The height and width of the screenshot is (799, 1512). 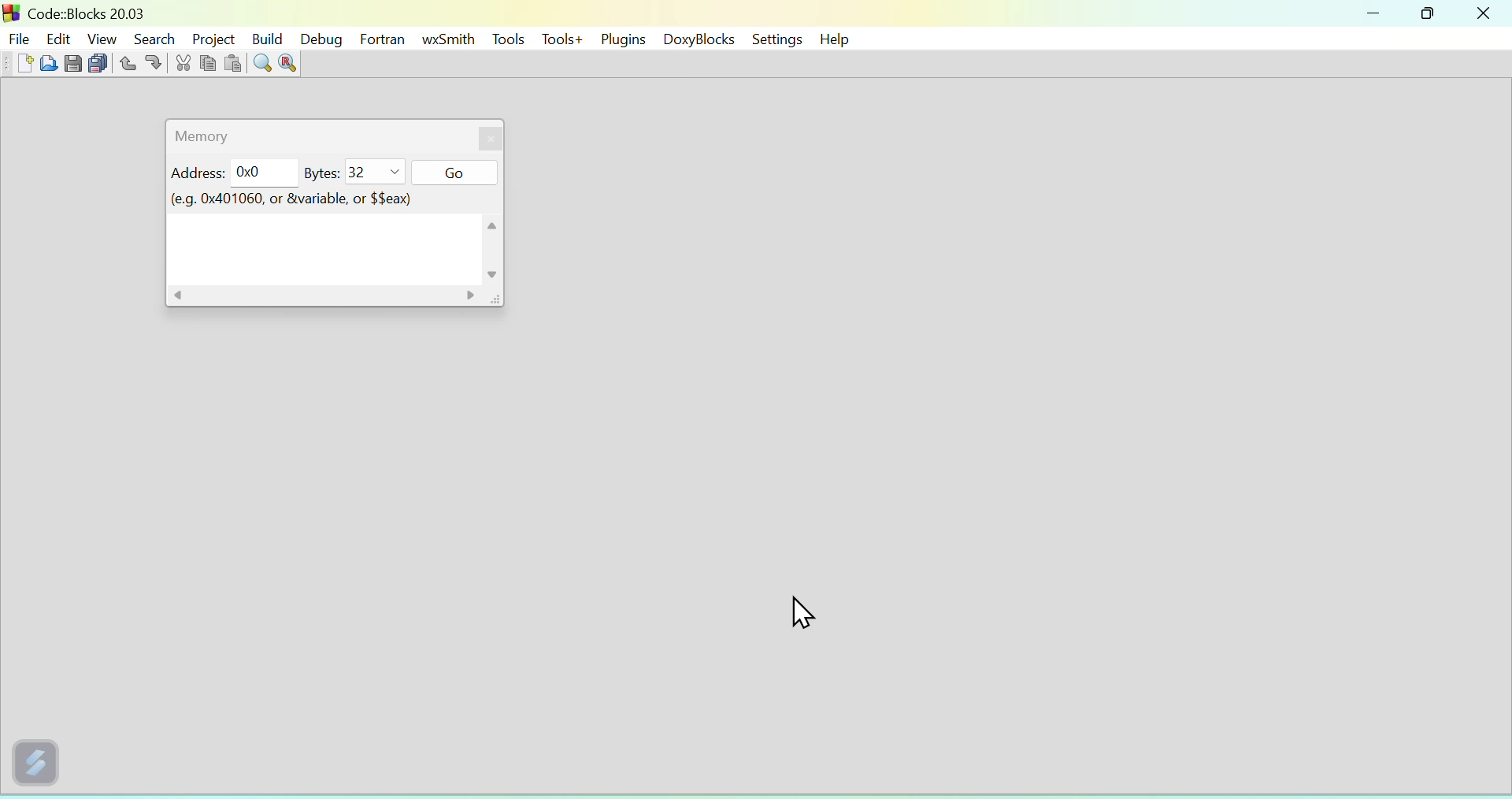 I want to click on save all, so click(x=97, y=64).